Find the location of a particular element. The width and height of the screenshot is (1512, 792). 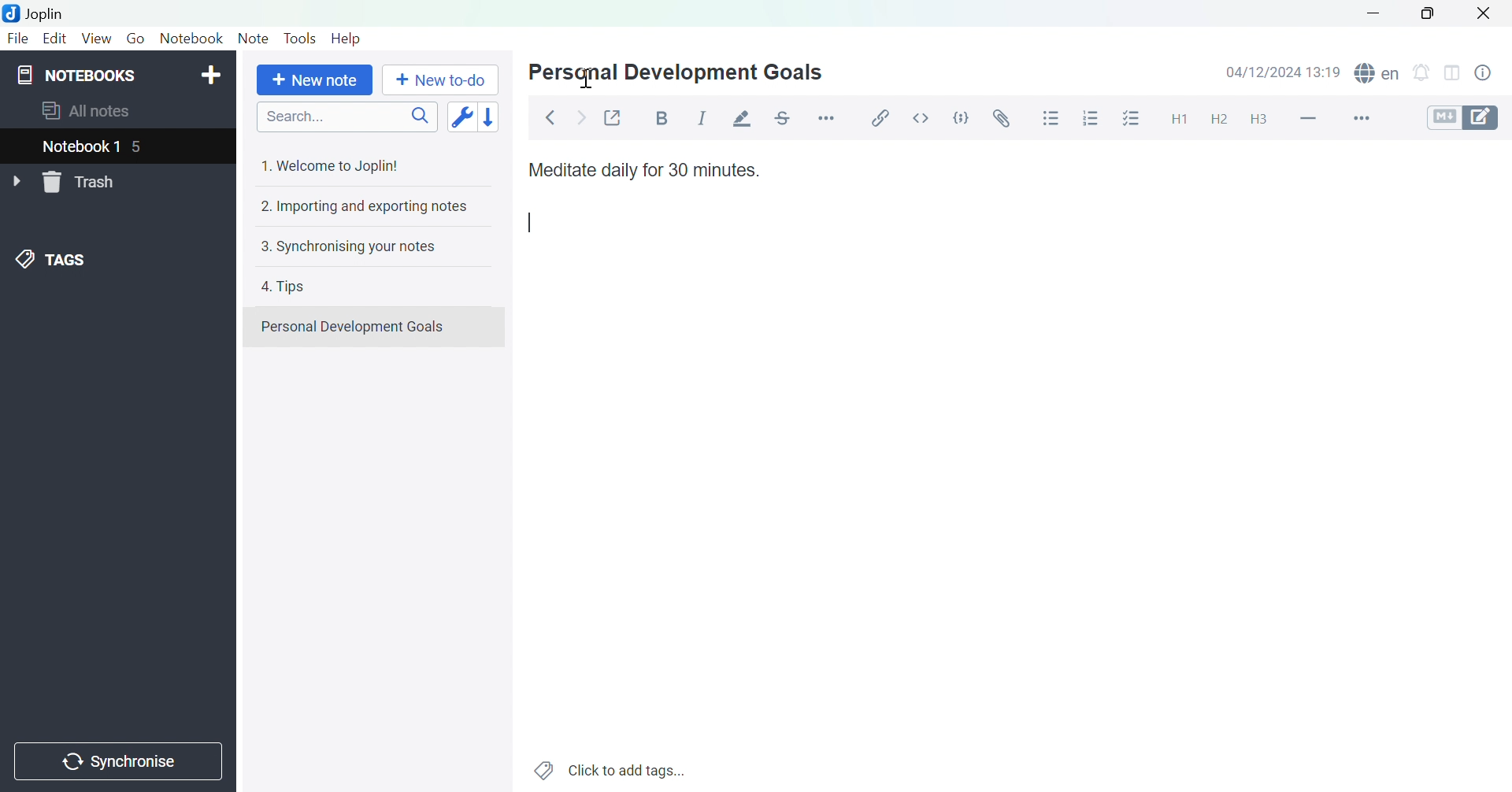

Reverse sort order is located at coordinates (490, 116).